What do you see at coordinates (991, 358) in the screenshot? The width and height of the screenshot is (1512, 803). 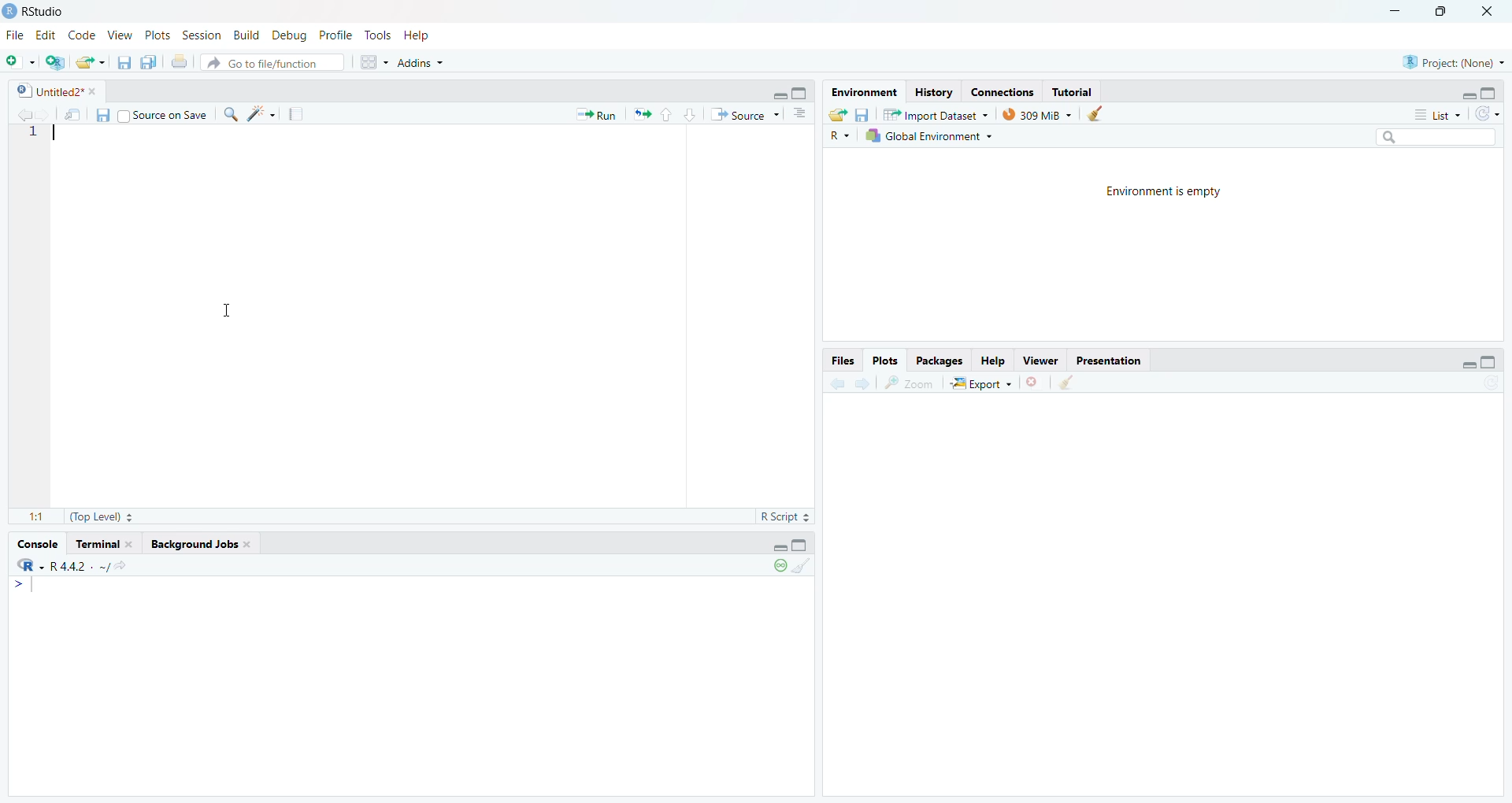 I see `Help` at bounding box center [991, 358].